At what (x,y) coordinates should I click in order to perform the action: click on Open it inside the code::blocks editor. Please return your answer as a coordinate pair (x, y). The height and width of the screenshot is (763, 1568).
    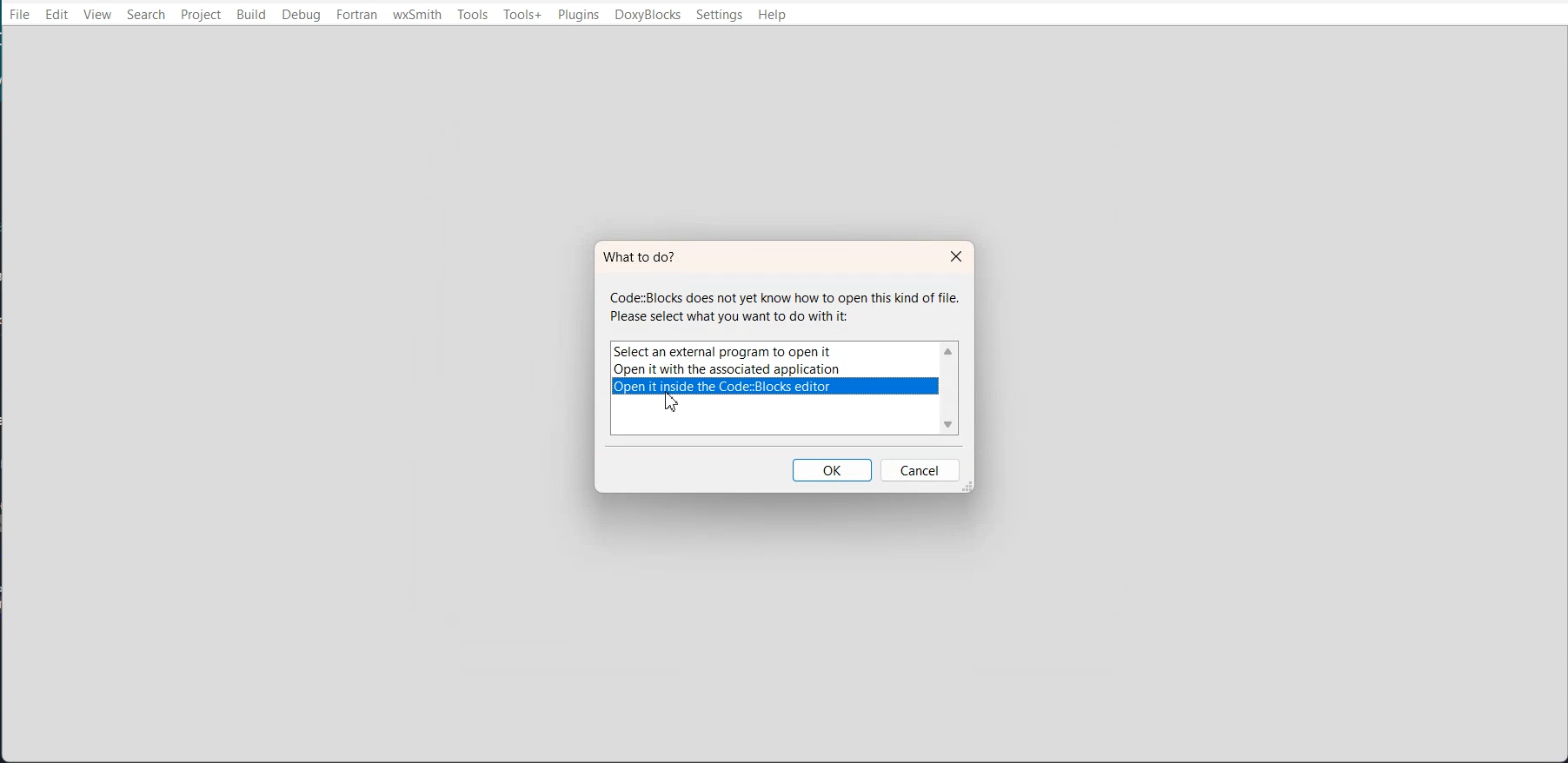
    Looking at the image, I should click on (773, 388).